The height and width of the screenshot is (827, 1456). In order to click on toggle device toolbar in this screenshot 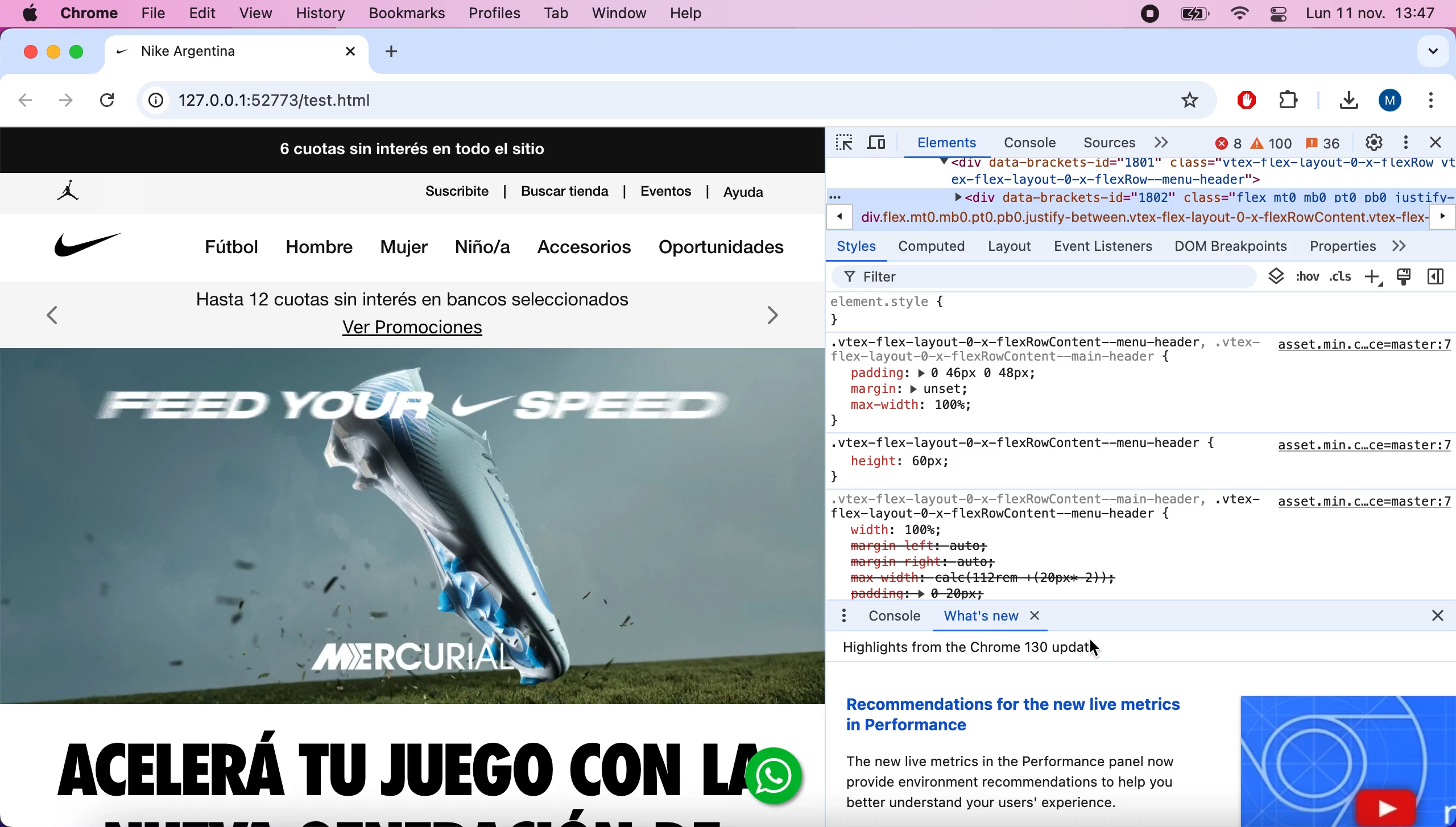, I will do `click(883, 144)`.